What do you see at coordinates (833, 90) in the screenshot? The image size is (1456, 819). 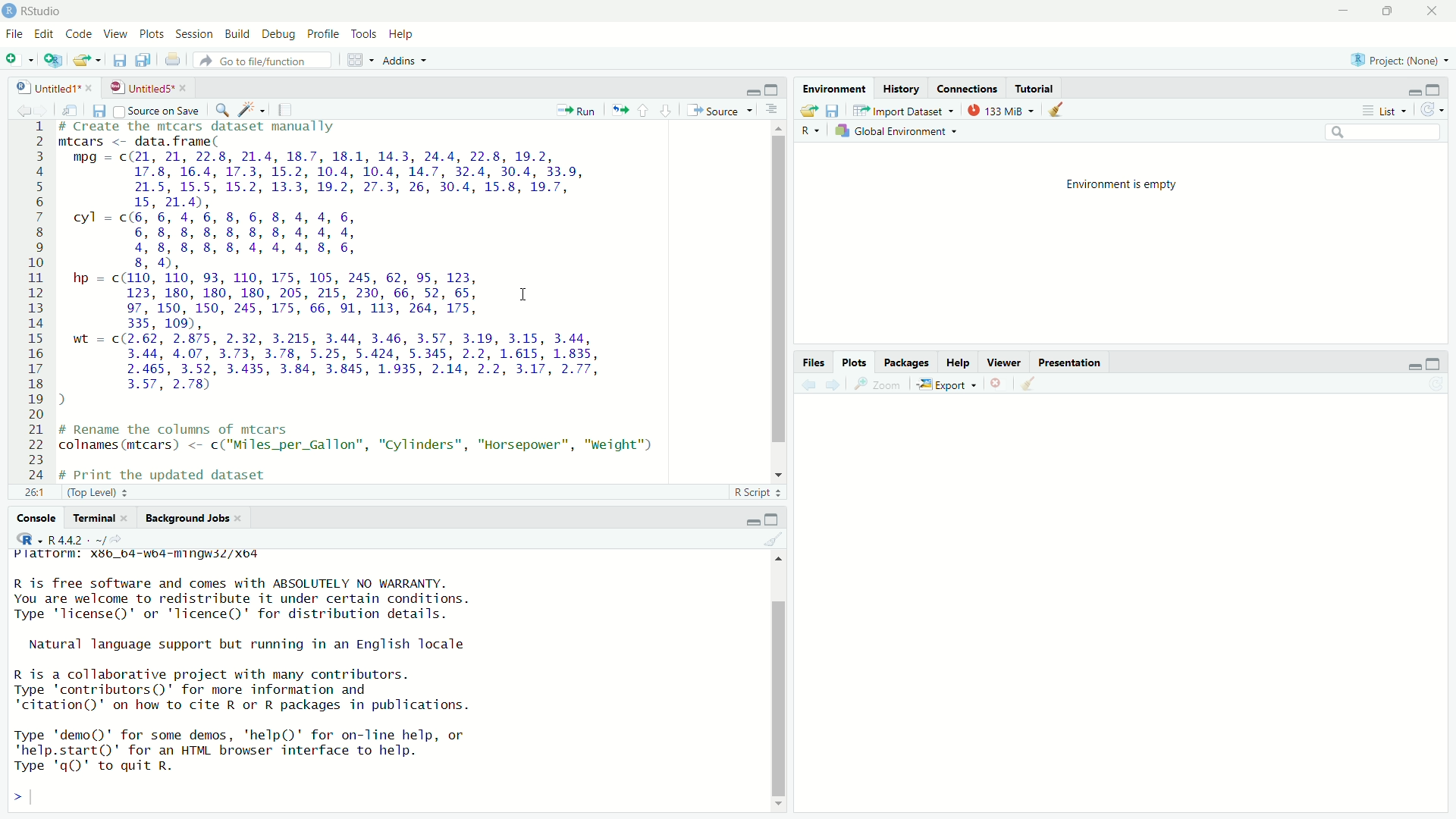 I see `Environment` at bounding box center [833, 90].